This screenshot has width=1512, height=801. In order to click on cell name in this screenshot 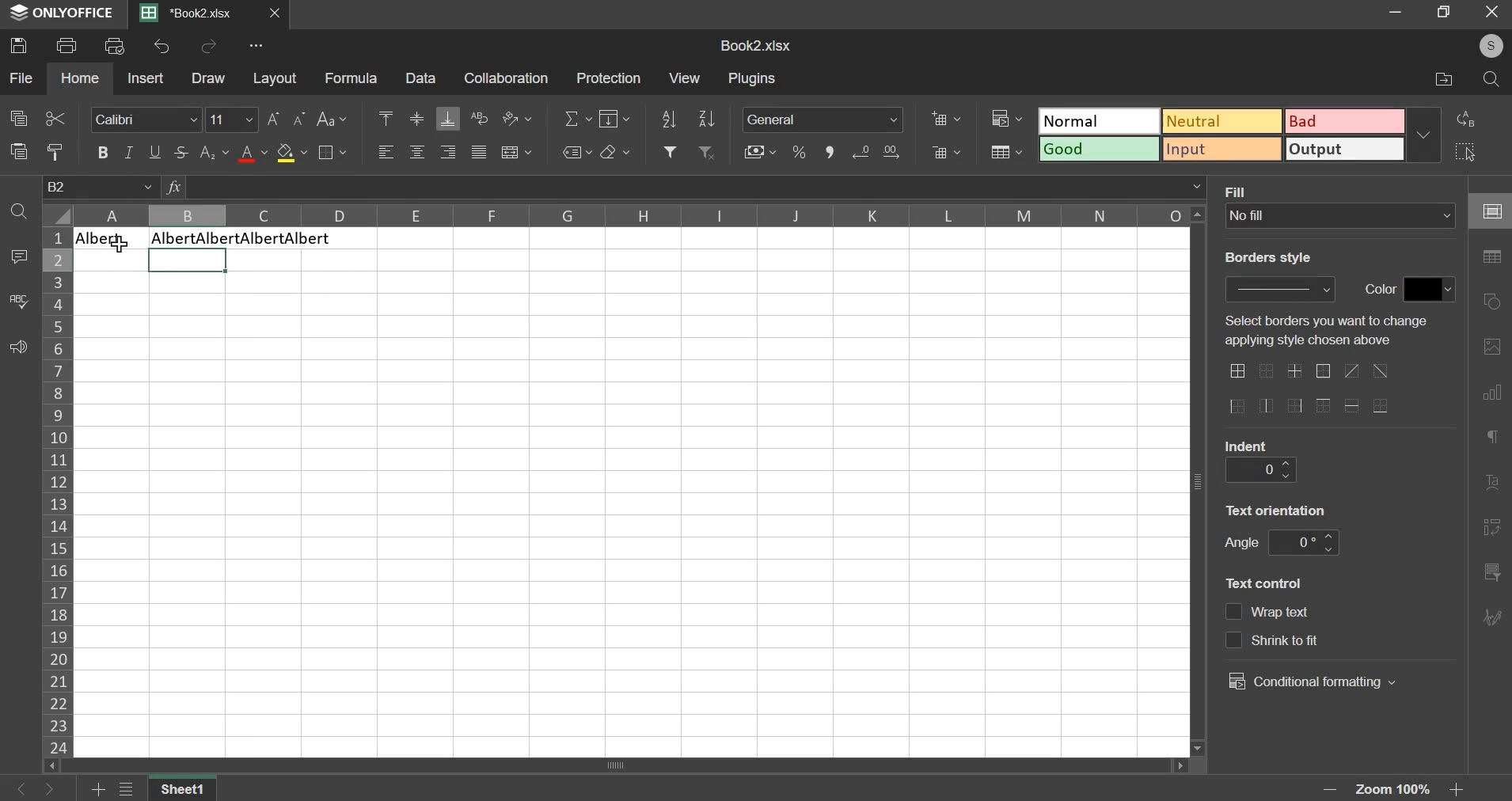, I will do `click(101, 187)`.